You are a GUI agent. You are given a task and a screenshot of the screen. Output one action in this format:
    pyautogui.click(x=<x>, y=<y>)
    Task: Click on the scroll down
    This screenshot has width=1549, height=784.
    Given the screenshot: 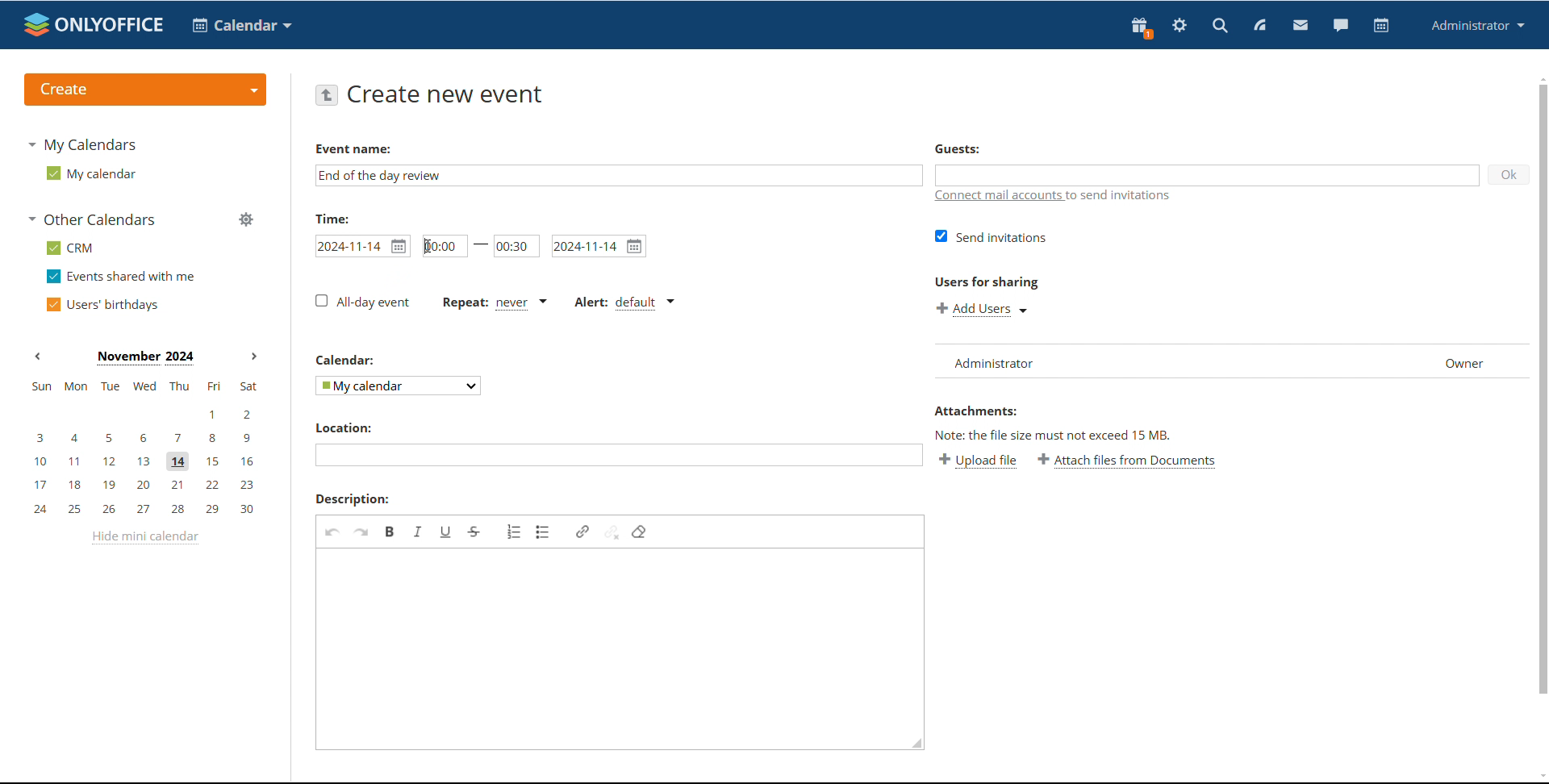 What is the action you would take?
    pyautogui.click(x=1539, y=778)
    